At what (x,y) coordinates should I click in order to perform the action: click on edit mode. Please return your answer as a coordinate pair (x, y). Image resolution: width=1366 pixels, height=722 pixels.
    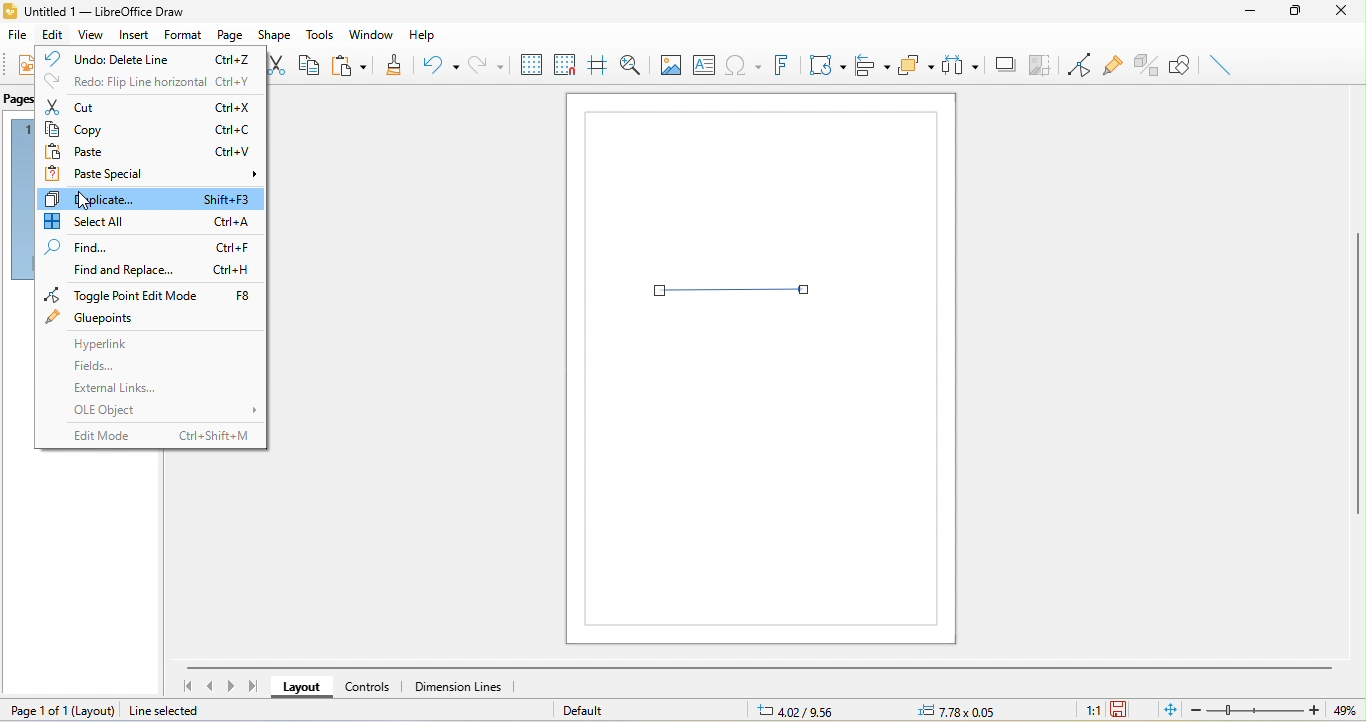
    Looking at the image, I should click on (158, 435).